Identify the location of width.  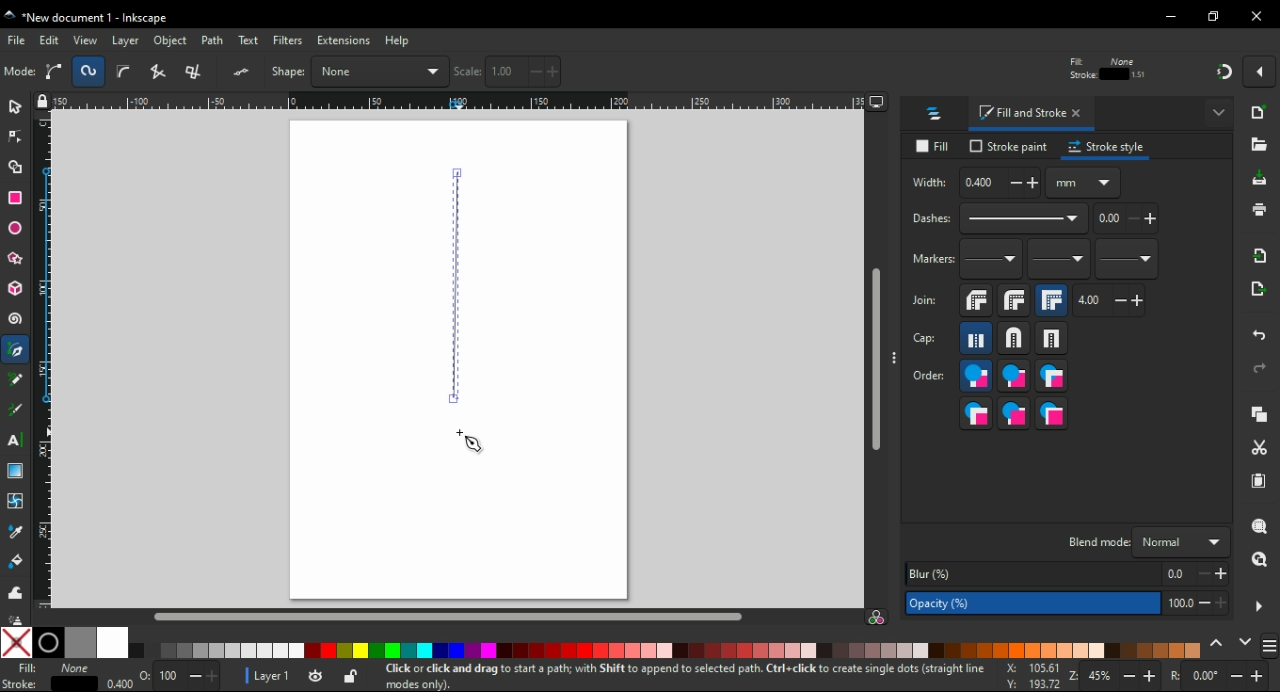
(765, 71).